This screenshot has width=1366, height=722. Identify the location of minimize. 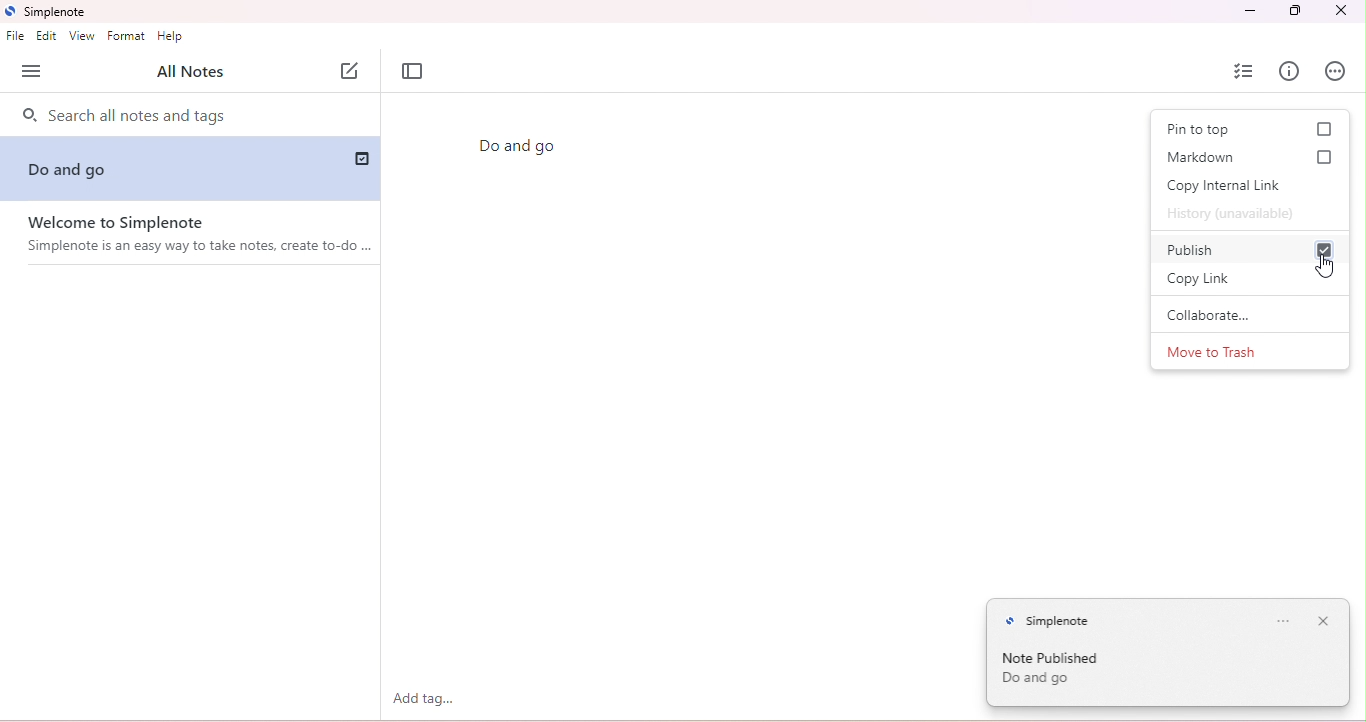
(1248, 11).